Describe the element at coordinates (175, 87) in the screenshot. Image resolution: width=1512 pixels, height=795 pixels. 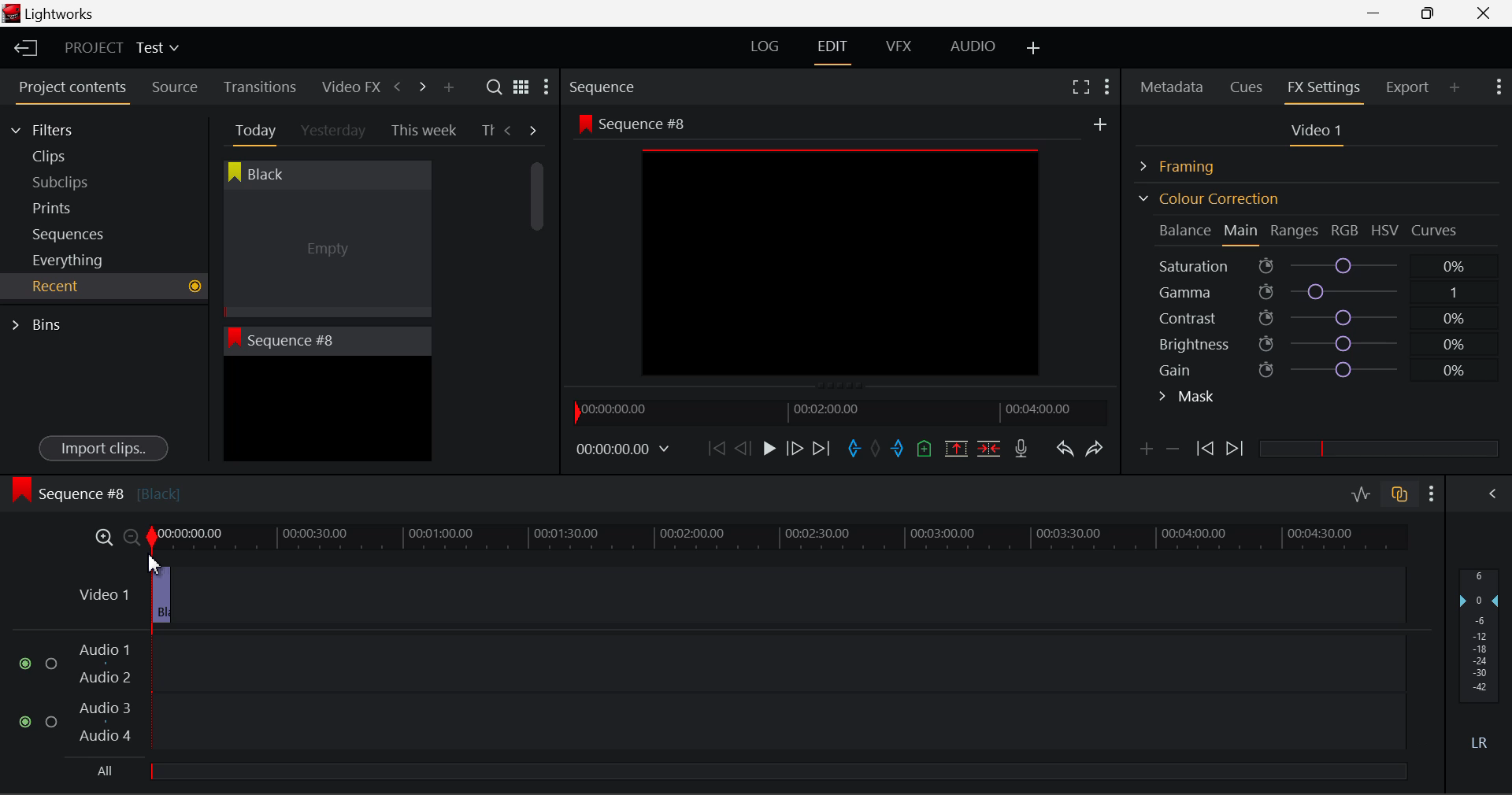
I see `Source` at that location.